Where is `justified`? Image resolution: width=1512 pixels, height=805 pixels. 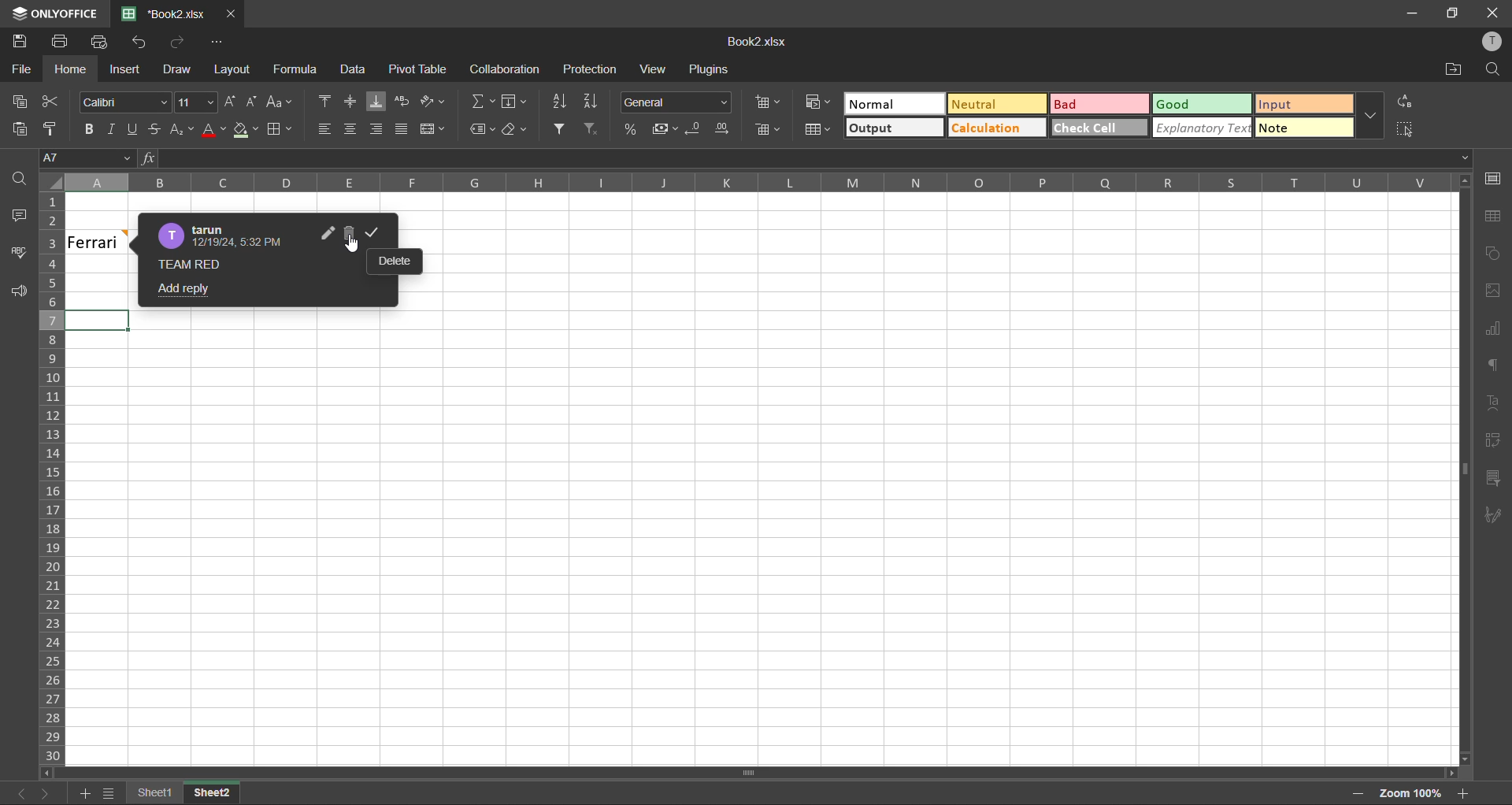
justified is located at coordinates (405, 130).